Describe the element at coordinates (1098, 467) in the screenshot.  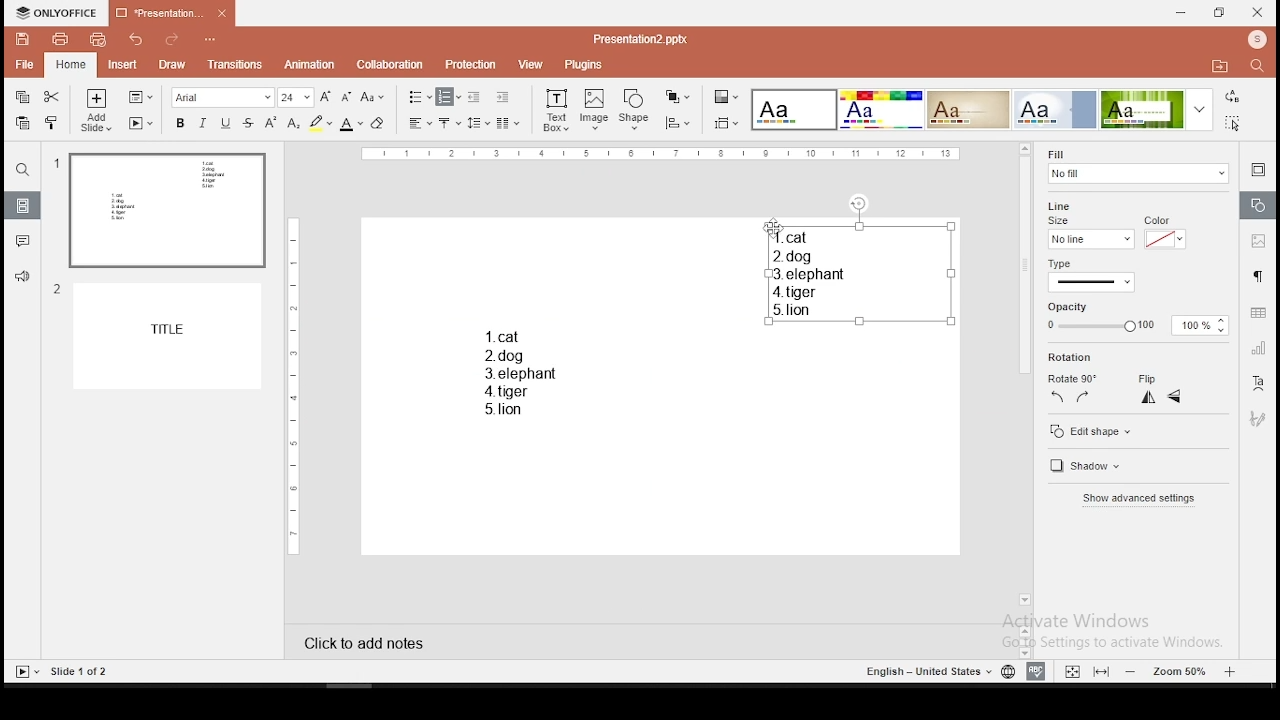
I see `shadow` at that location.